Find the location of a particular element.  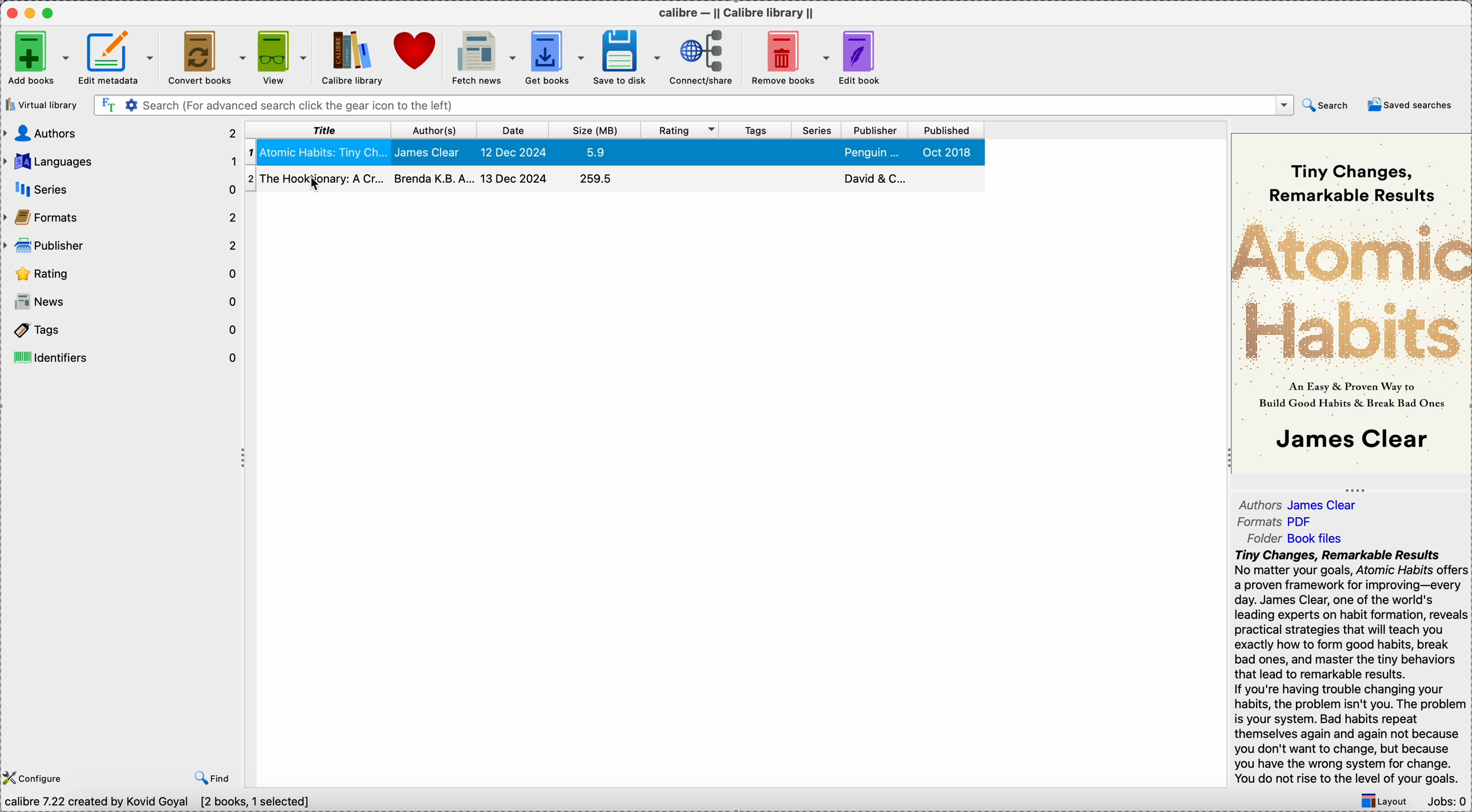

author(s) is located at coordinates (438, 130).